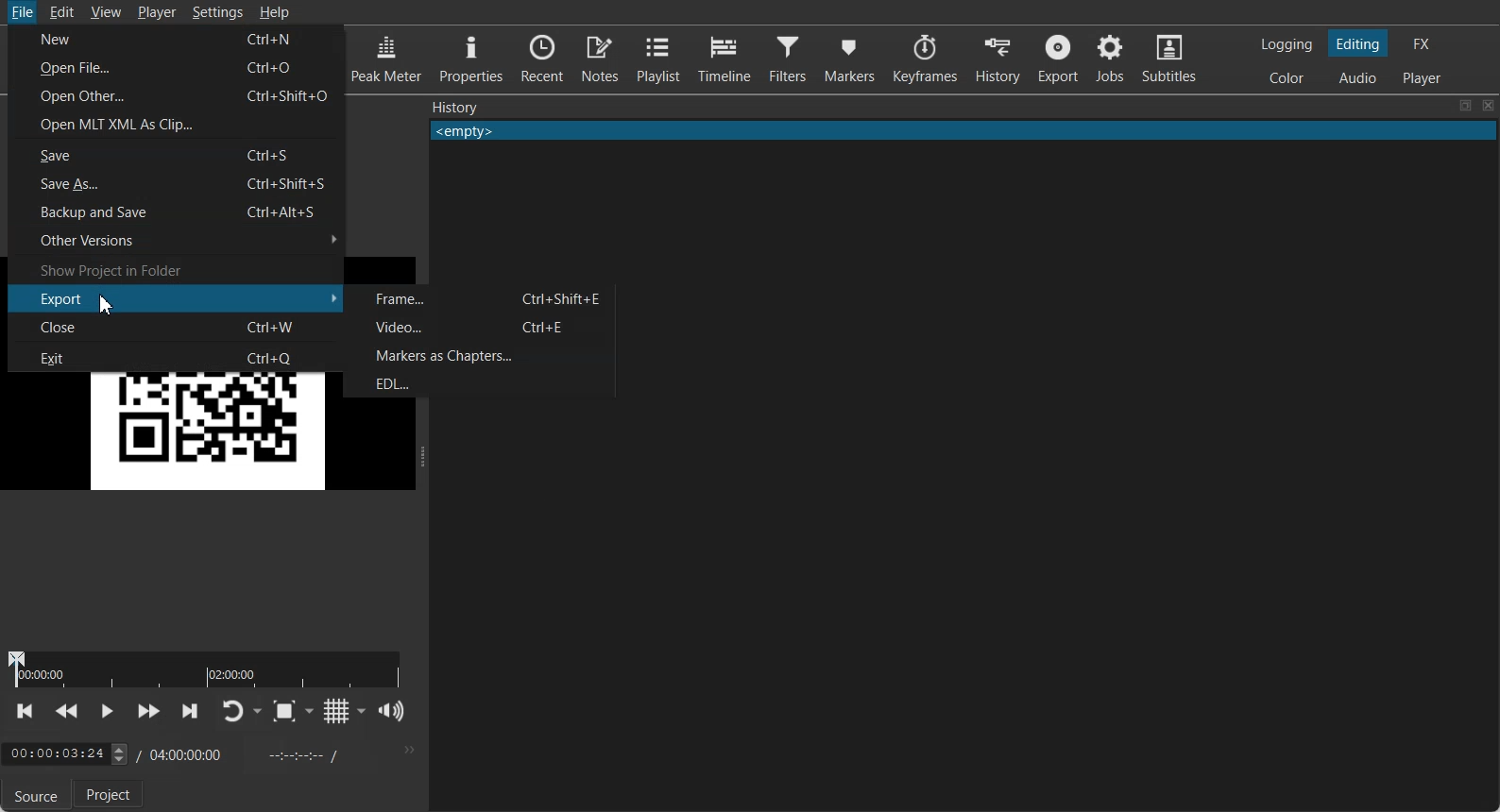  What do you see at coordinates (787, 57) in the screenshot?
I see `Filters` at bounding box center [787, 57].